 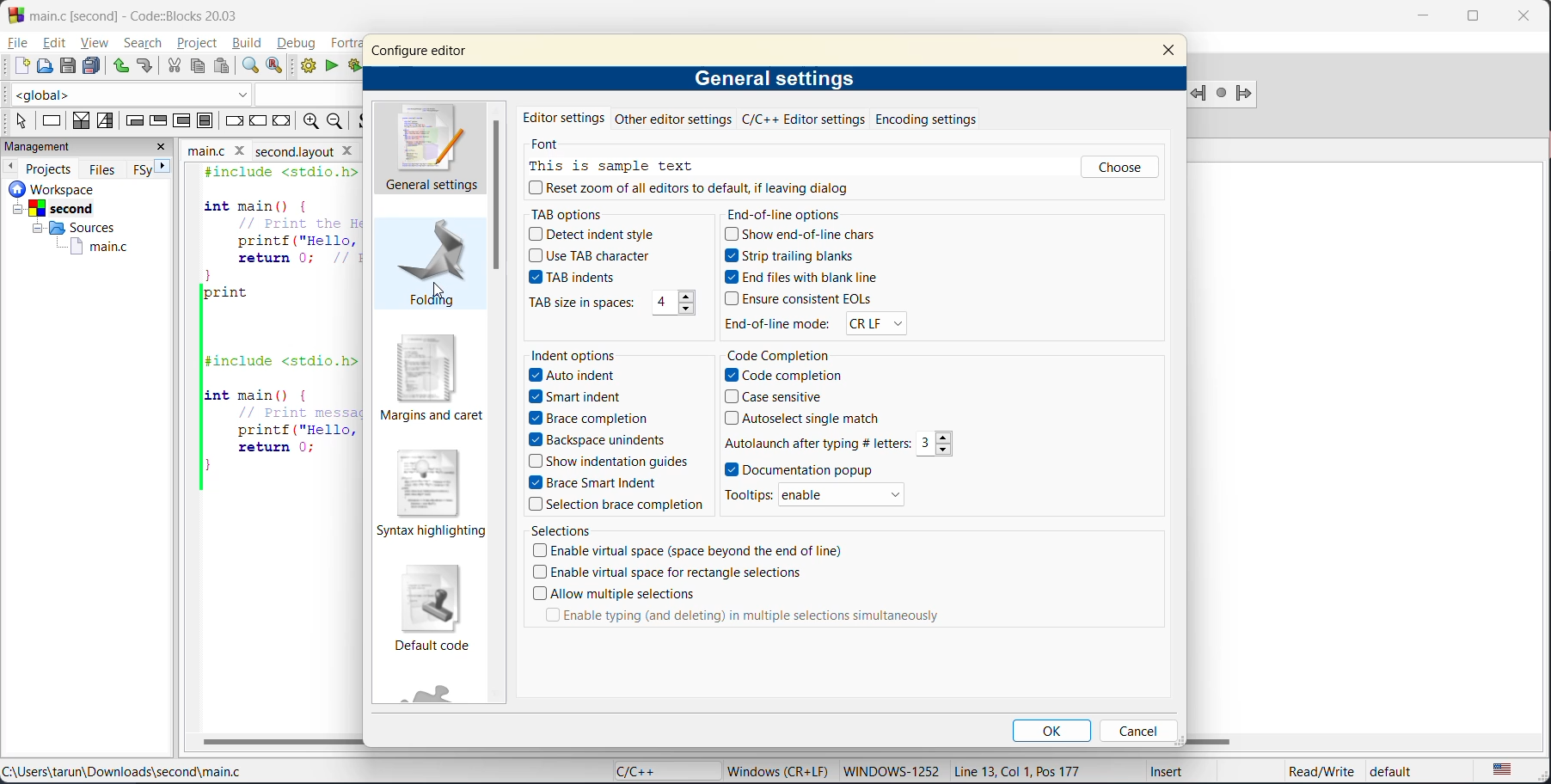 I want to click on Detect indent style, so click(x=592, y=235).